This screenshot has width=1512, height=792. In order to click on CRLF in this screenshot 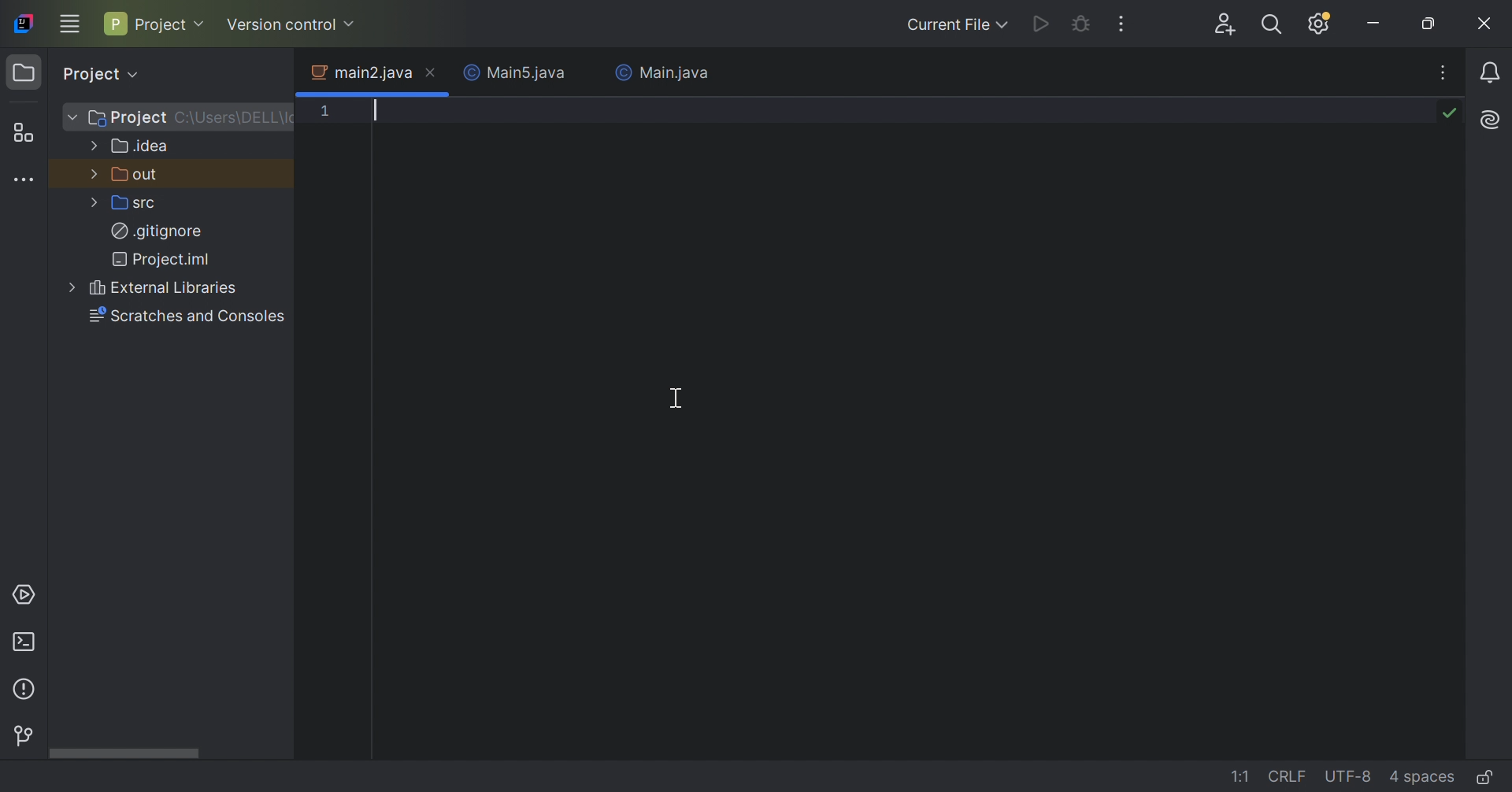, I will do `click(1290, 775)`.